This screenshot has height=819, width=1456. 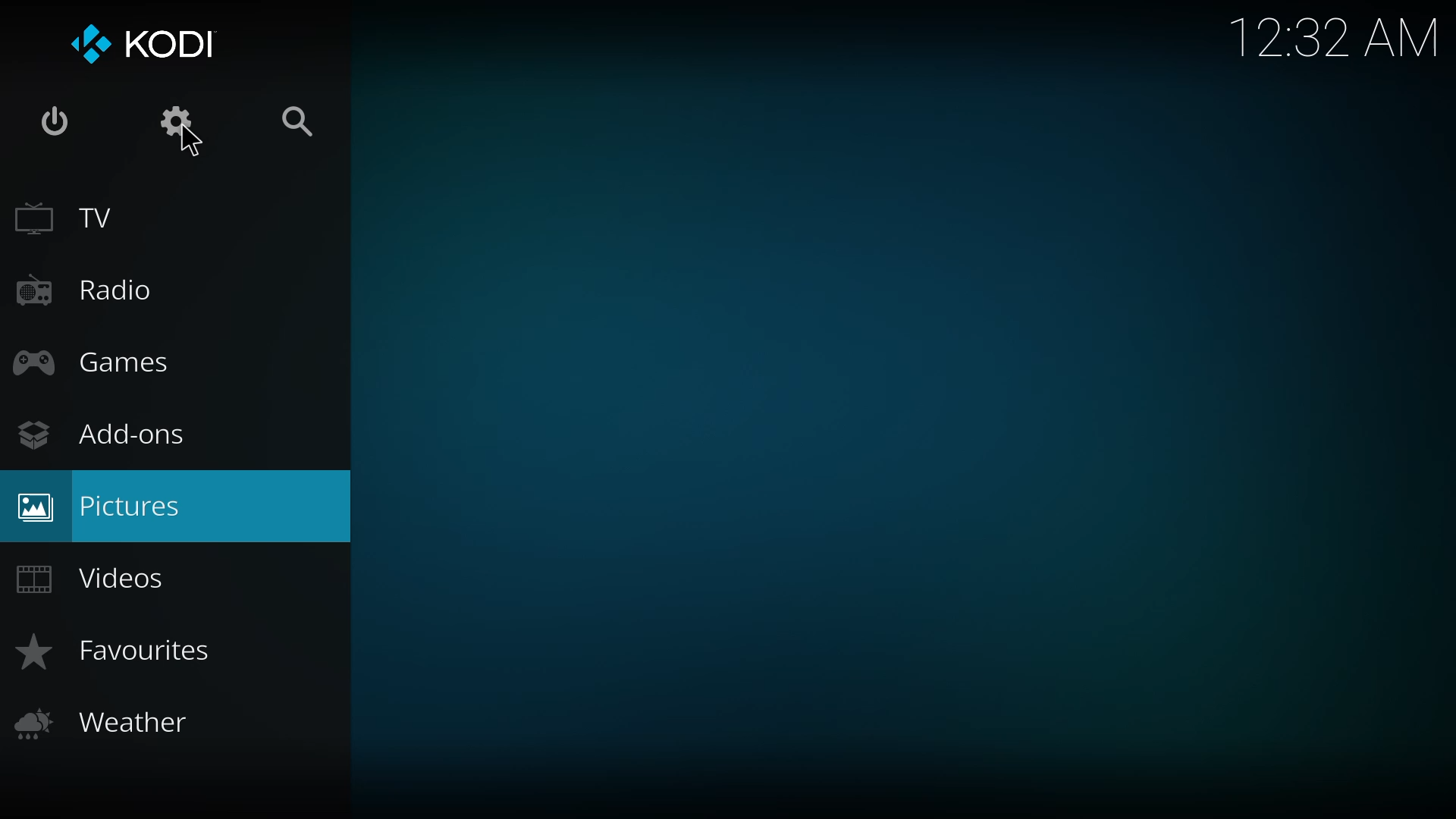 I want to click on radio, so click(x=91, y=290).